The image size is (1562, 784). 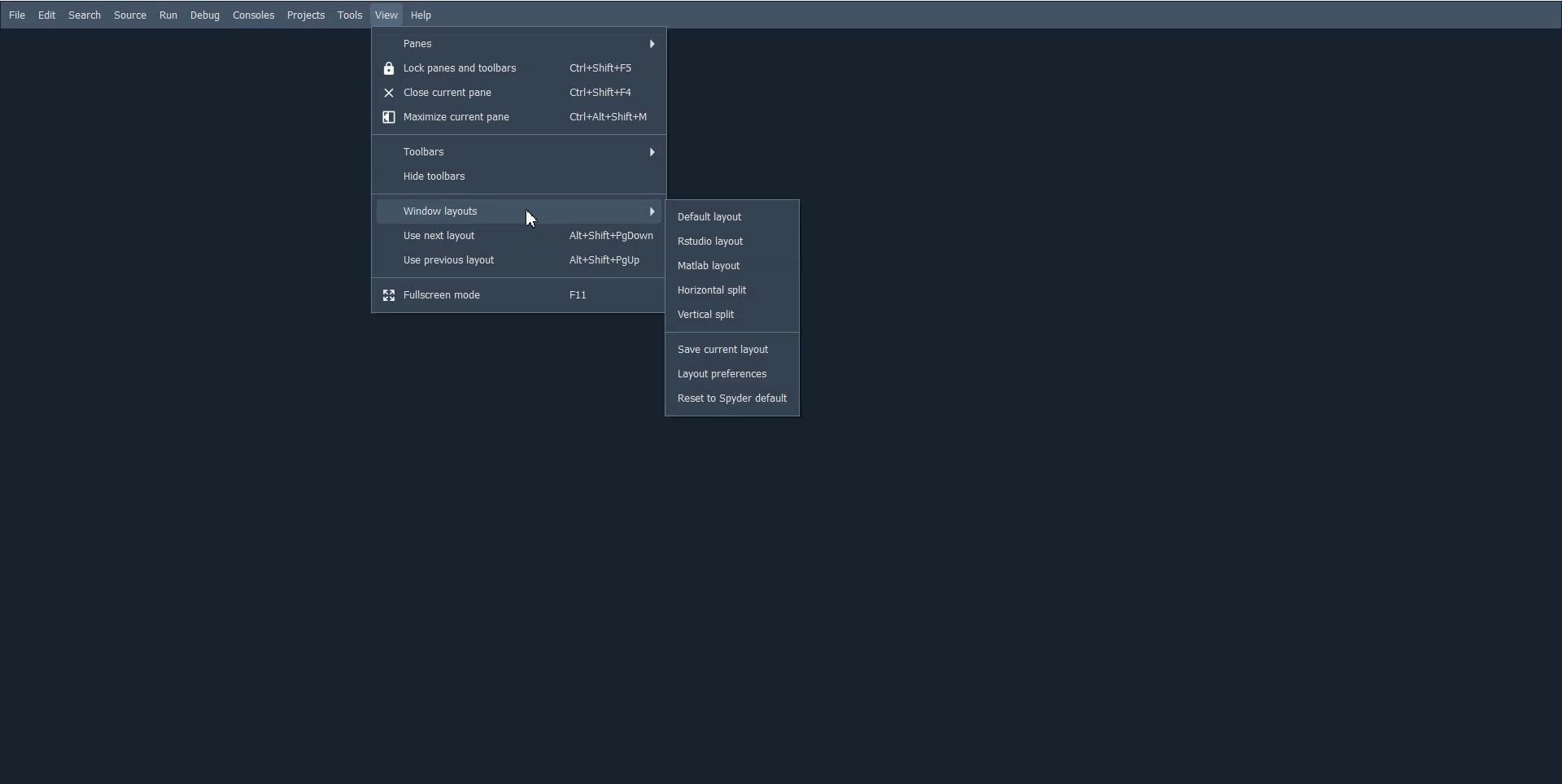 What do you see at coordinates (421, 15) in the screenshot?
I see `Help` at bounding box center [421, 15].